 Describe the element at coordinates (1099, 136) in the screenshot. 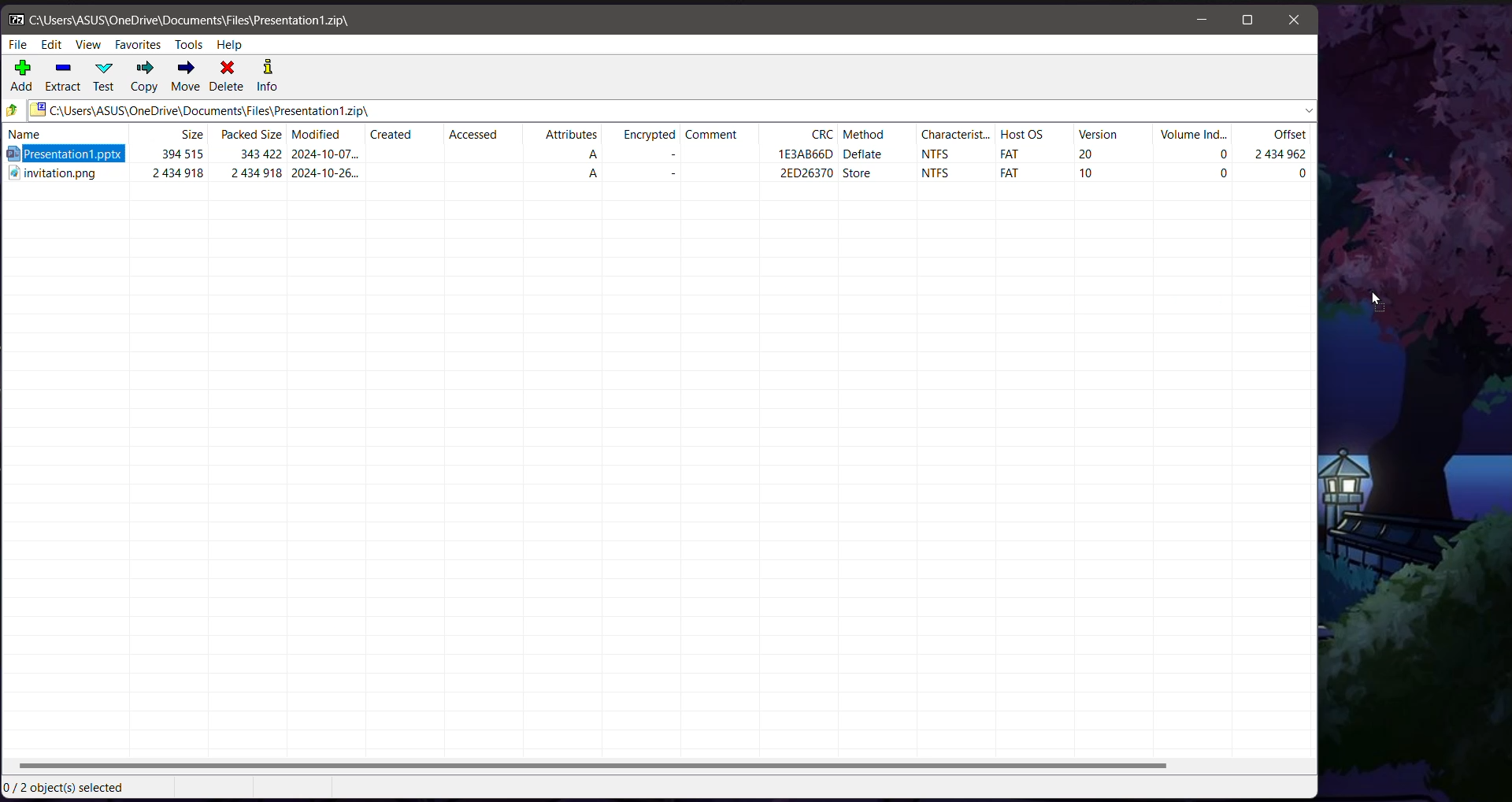

I see `Version` at that location.